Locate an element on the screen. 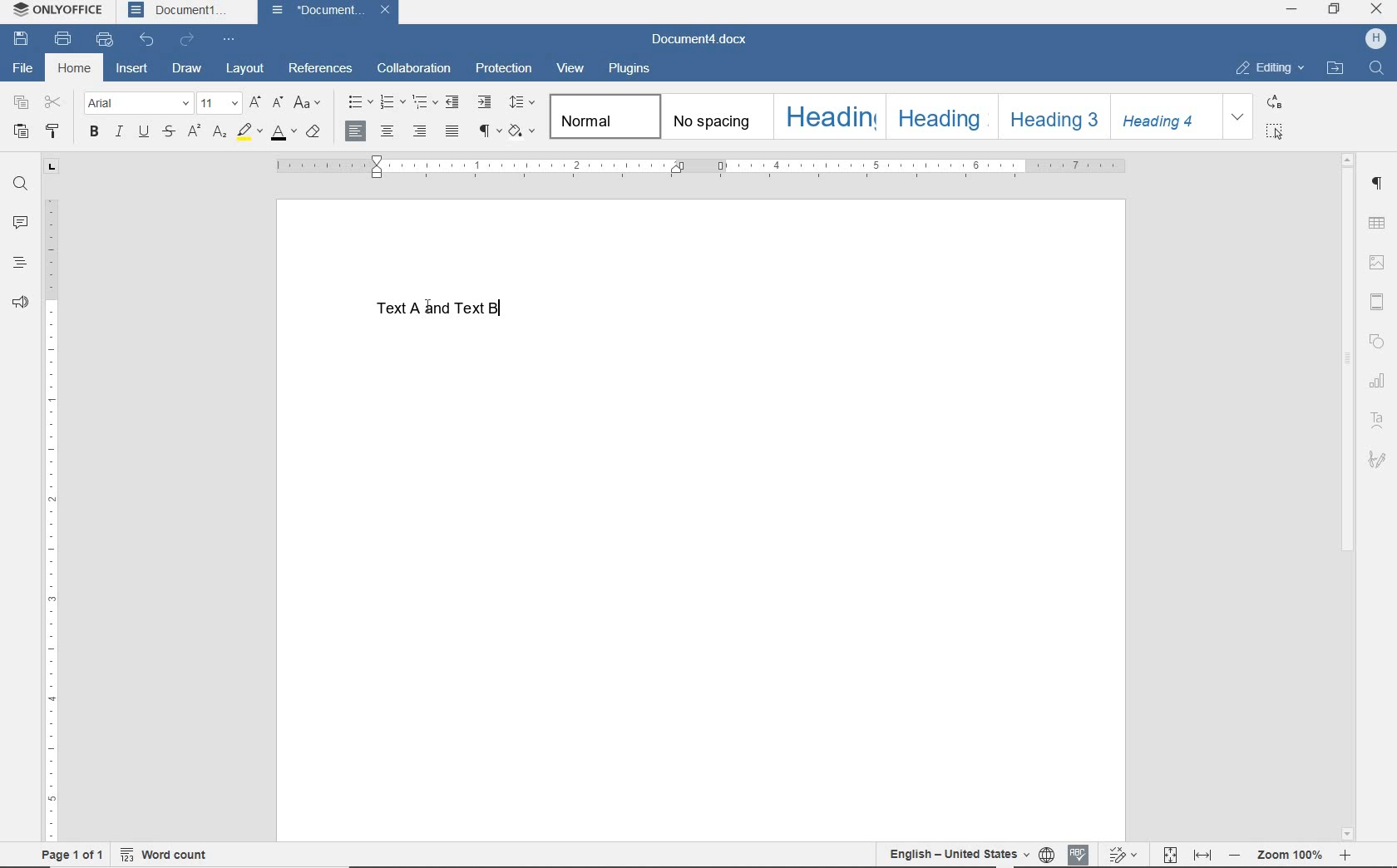 The height and width of the screenshot is (868, 1397). minimize is located at coordinates (1291, 11).